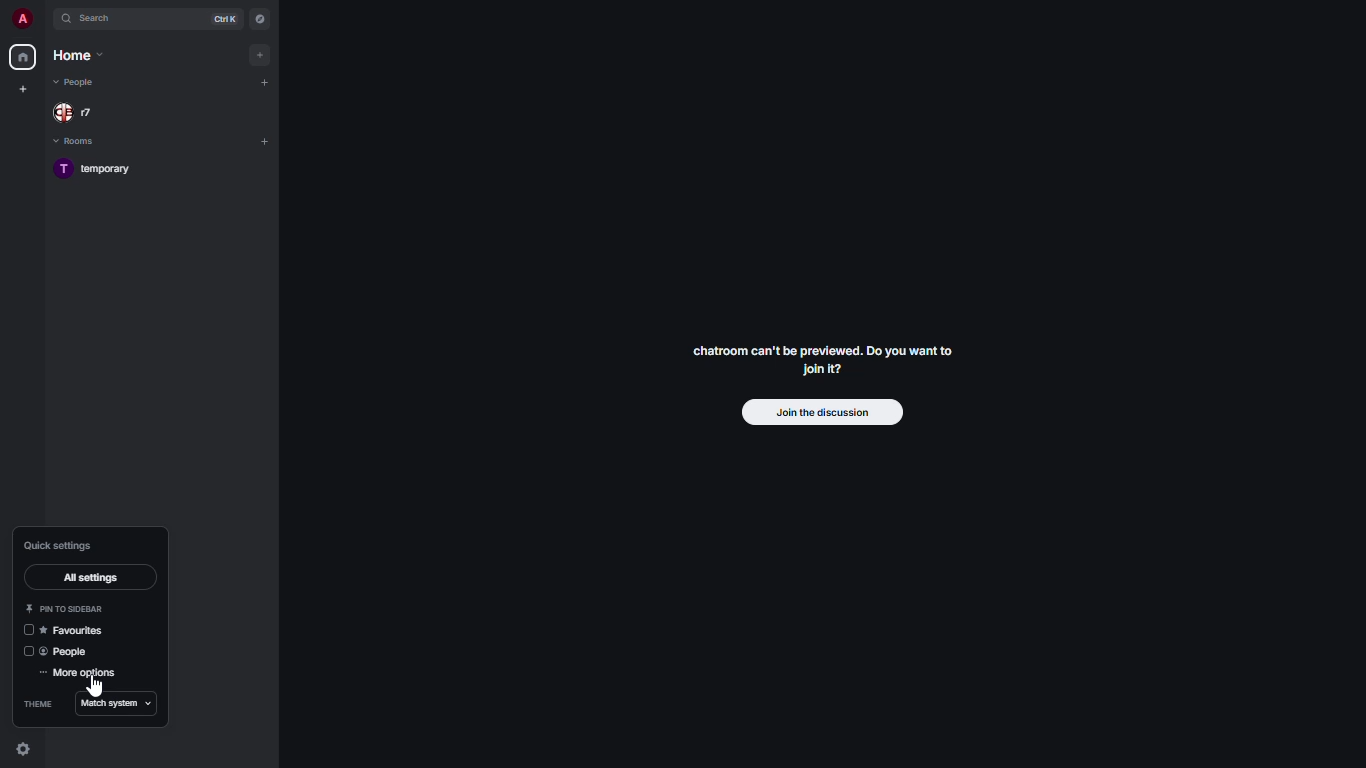 Image resolution: width=1366 pixels, height=768 pixels. I want to click on room, so click(106, 170).